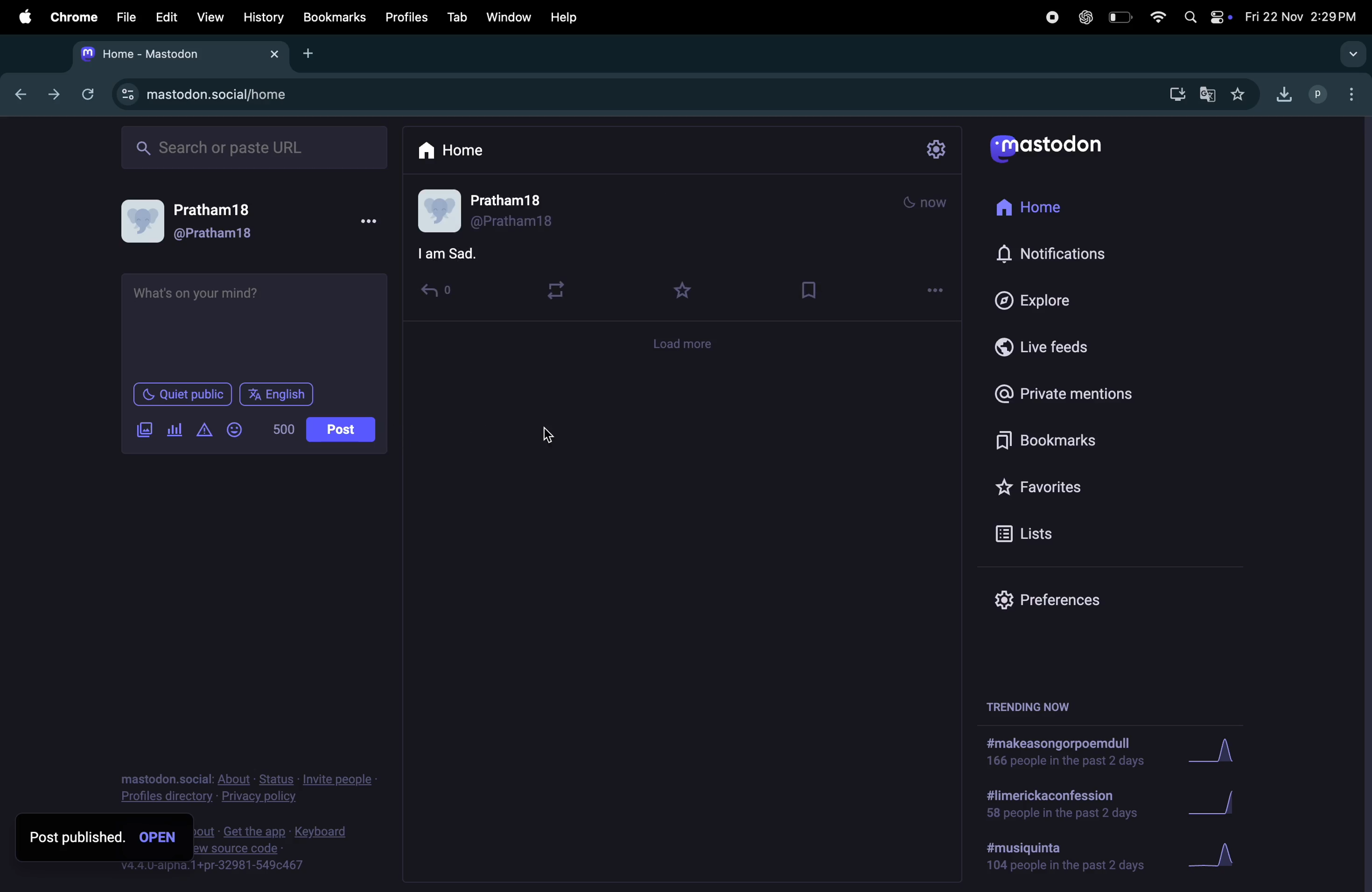  I want to click on bookmarks, so click(1088, 439).